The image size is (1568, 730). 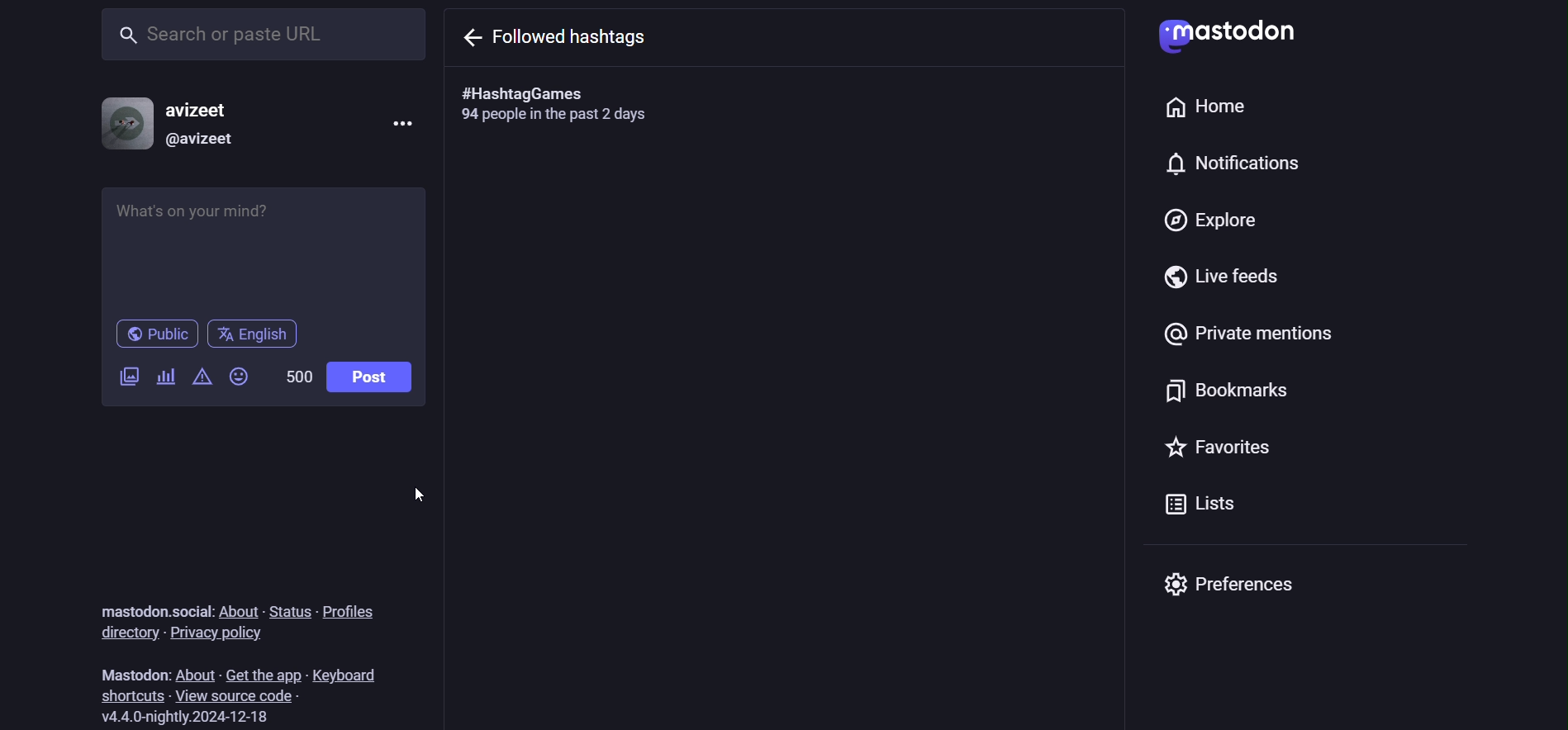 What do you see at coordinates (264, 248) in the screenshot?
I see `whats on your mind` at bounding box center [264, 248].